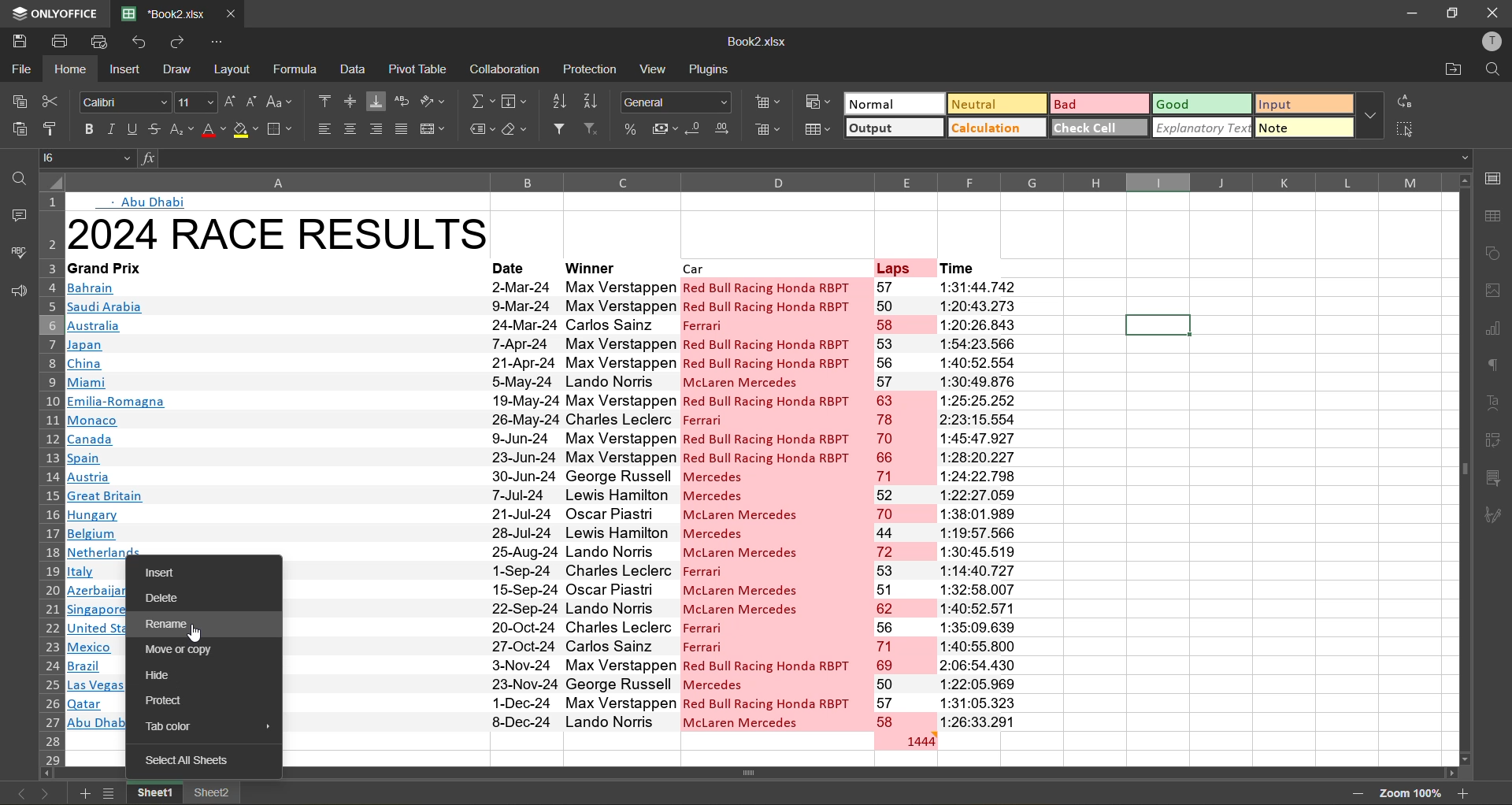 The image size is (1512, 805). Describe the element at coordinates (327, 102) in the screenshot. I see `align top` at that location.